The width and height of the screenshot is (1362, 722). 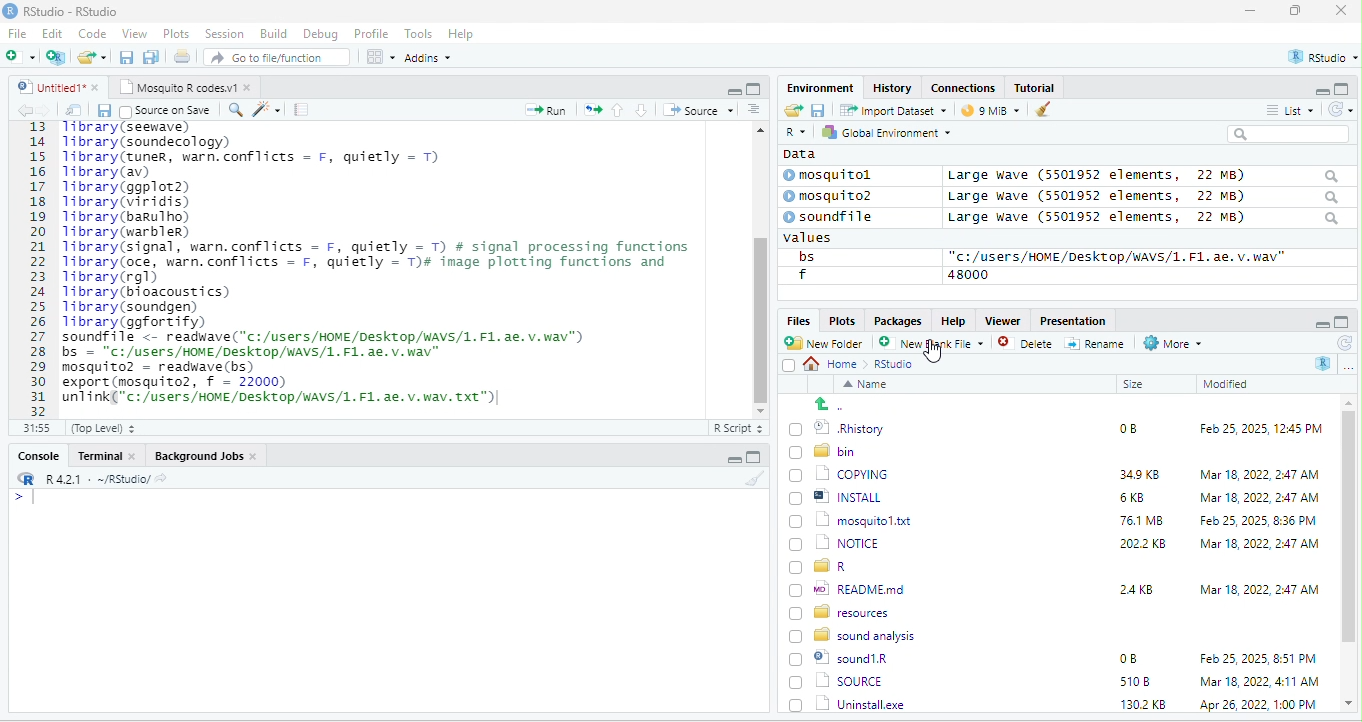 I want to click on 349K8, so click(x=1140, y=475).